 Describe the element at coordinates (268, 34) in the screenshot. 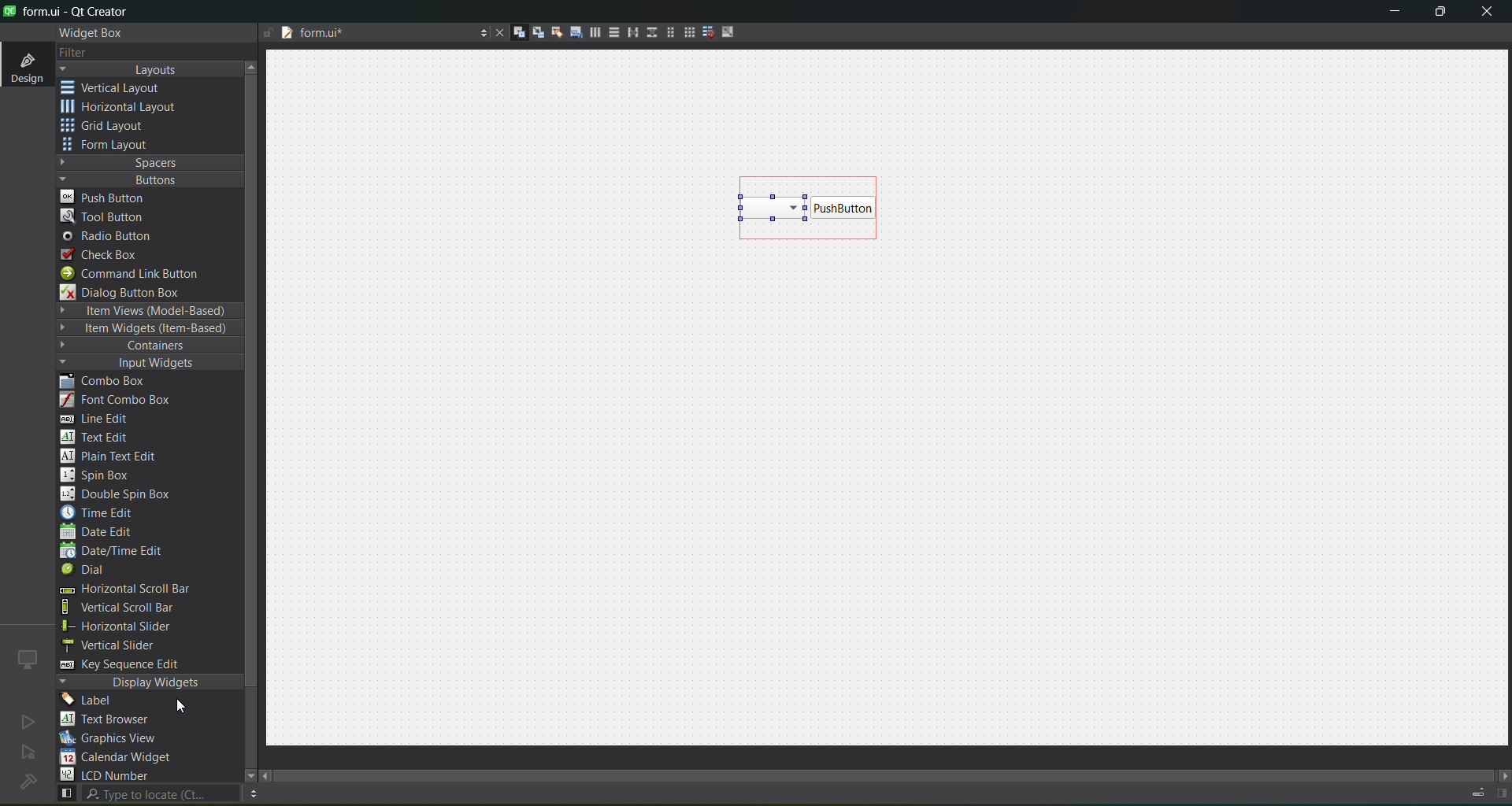

I see `file is writable` at that location.